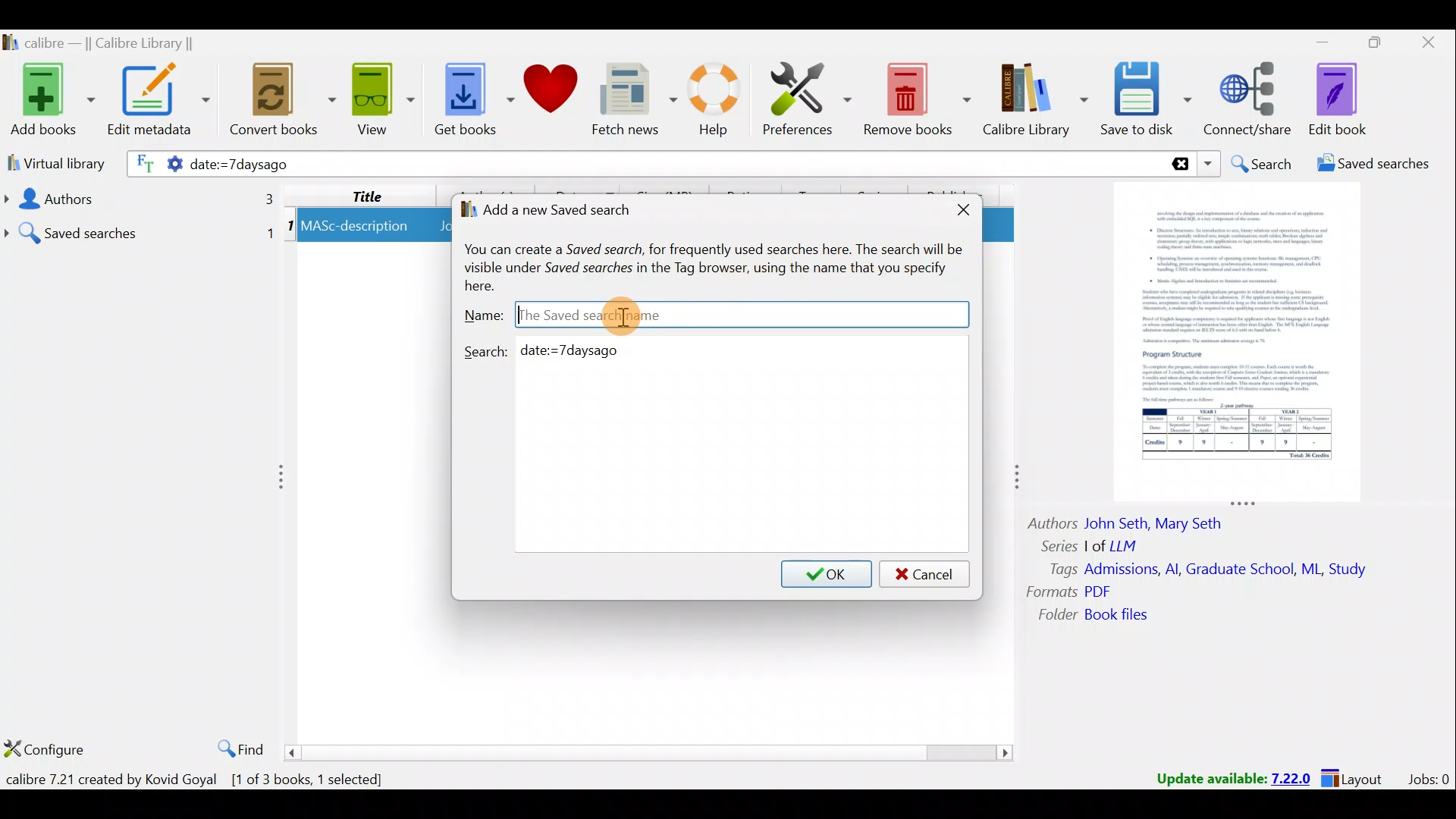 The height and width of the screenshot is (819, 1456). Describe the element at coordinates (356, 228) in the screenshot. I see `MASc-description` at that location.